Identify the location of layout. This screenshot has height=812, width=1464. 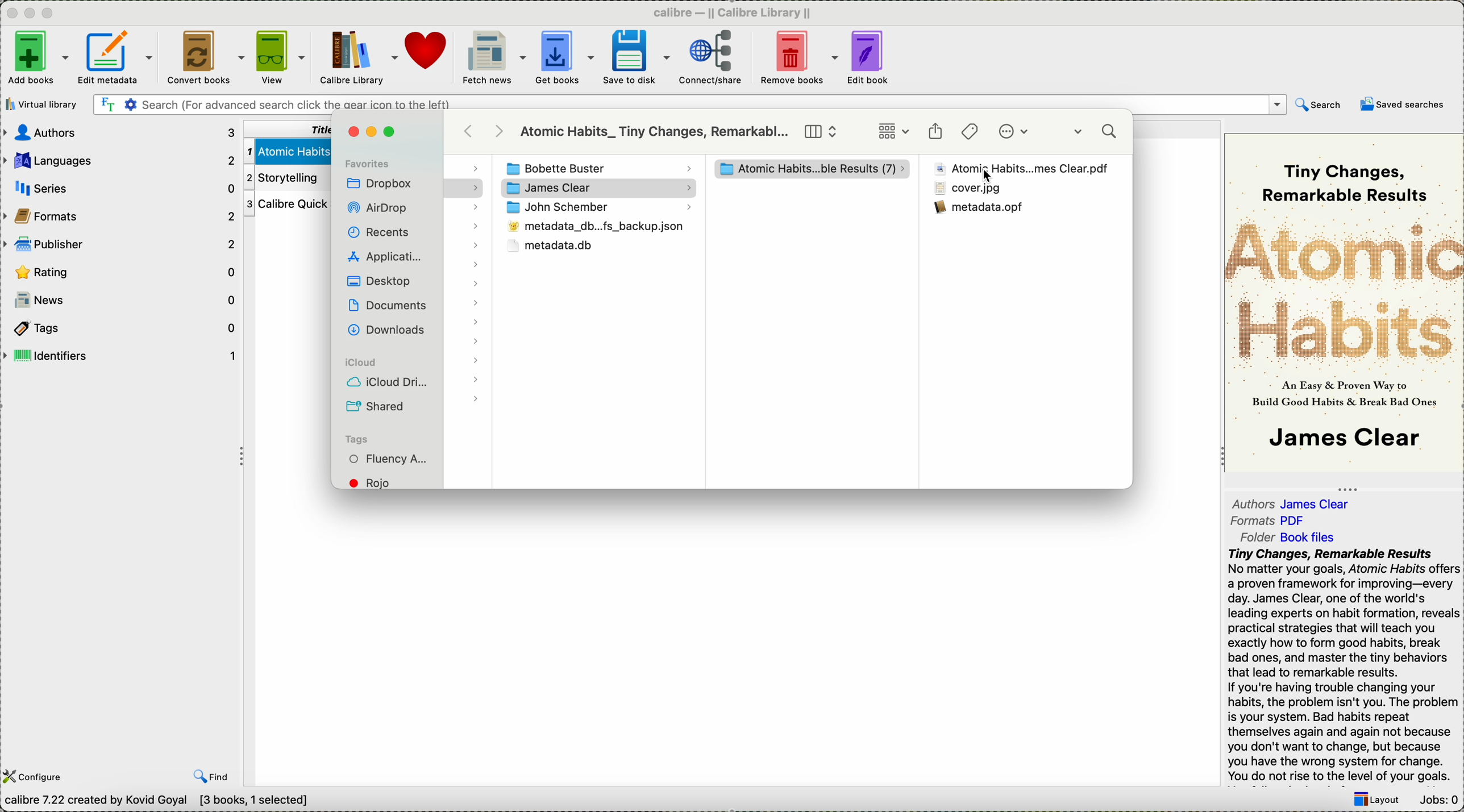
(1375, 801).